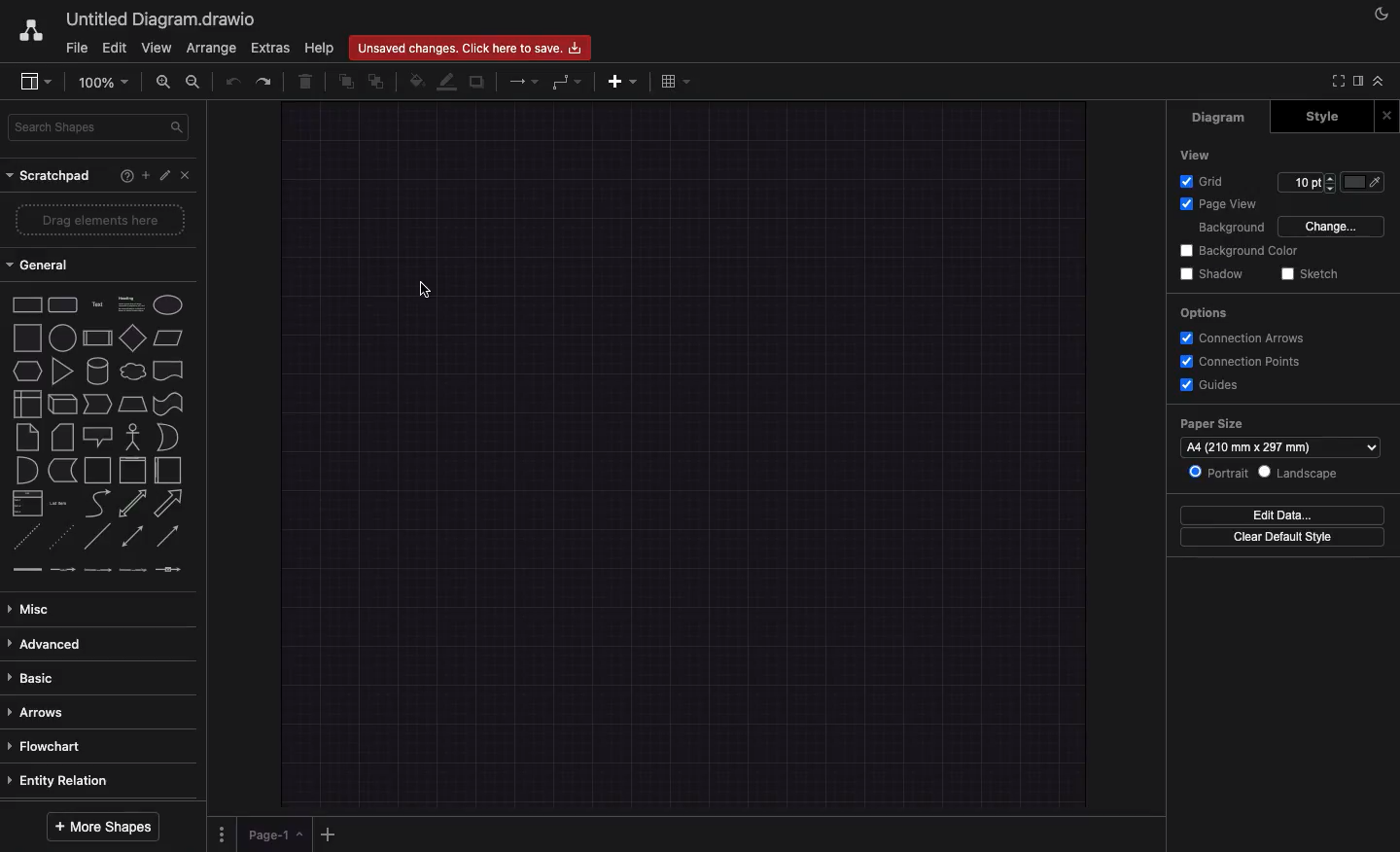 This screenshot has width=1400, height=852. What do you see at coordinates (132, 437) in the screenshot?
I see `actor` at bounding box center [132, 437].